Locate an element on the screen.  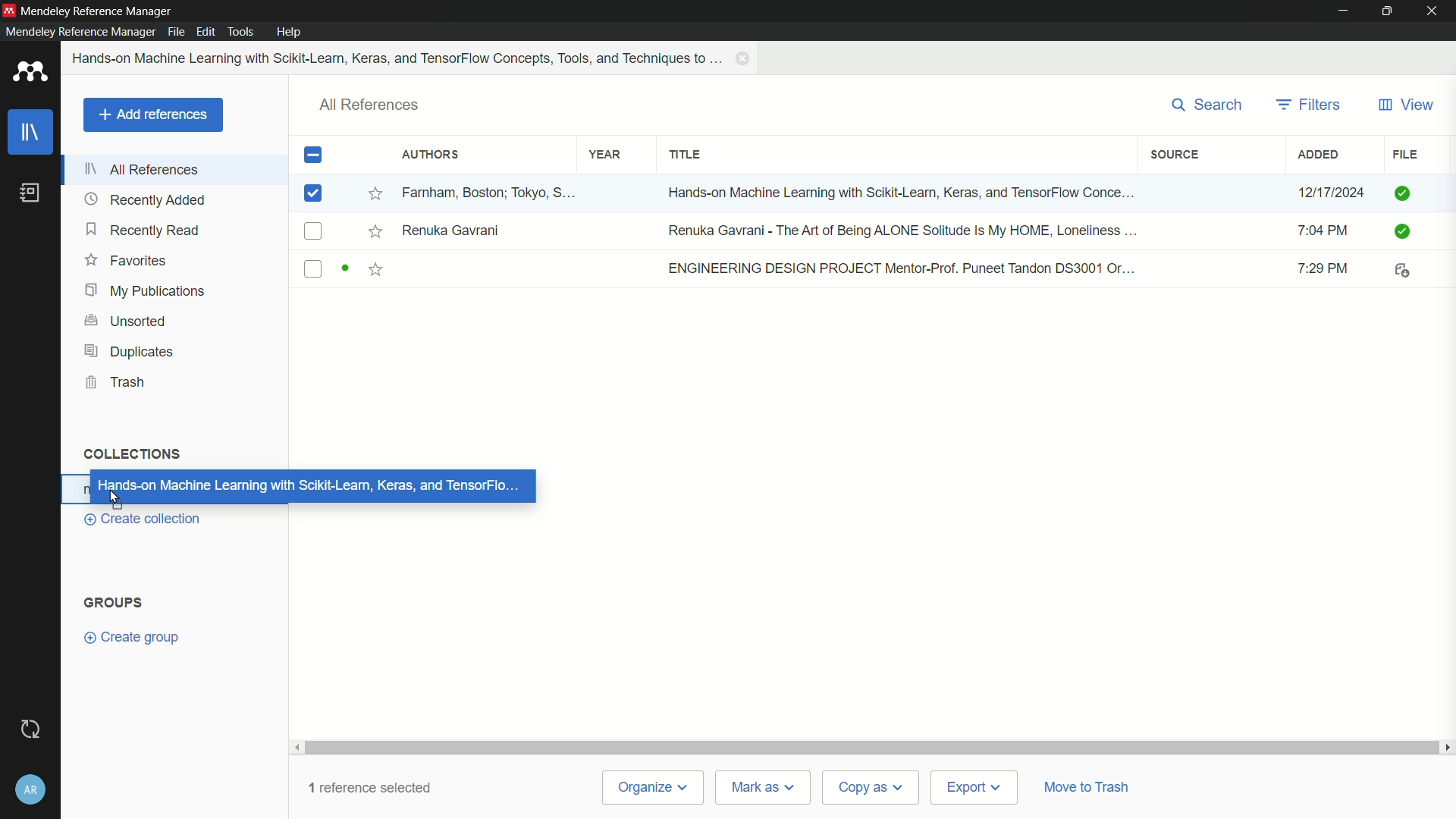
book-3 is located at coordinates (865, 270).